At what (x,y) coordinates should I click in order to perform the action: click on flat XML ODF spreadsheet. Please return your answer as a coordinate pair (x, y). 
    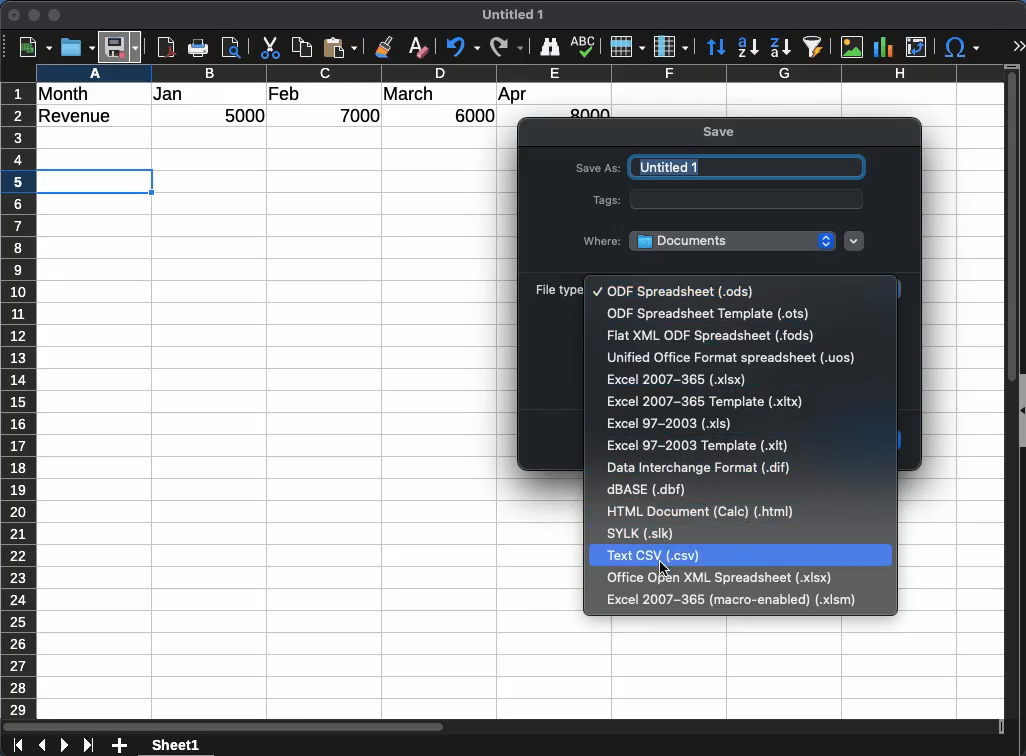
    Looking at the image, I should click on (711, 335).